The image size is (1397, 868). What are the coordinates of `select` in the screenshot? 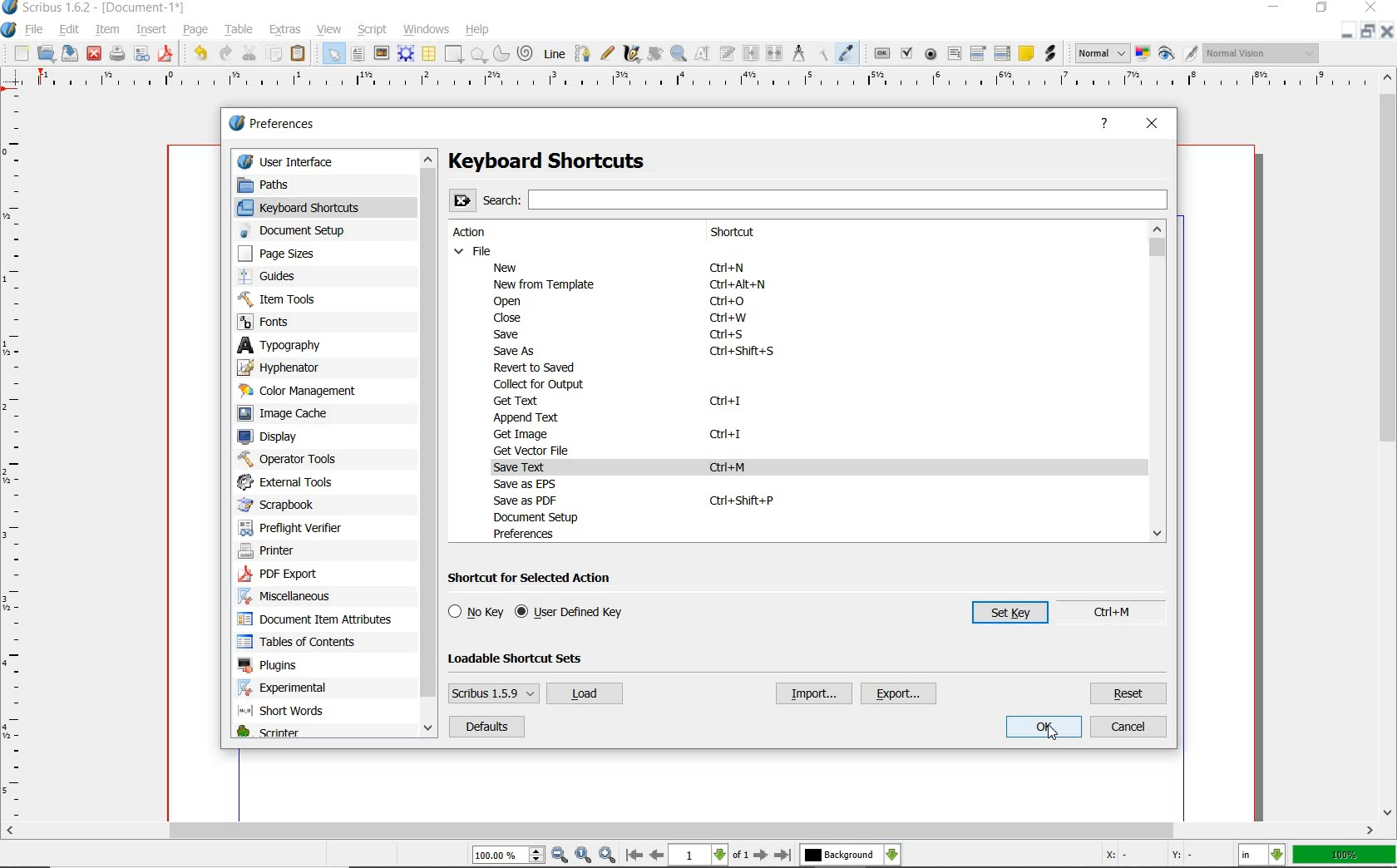 It's located at (335, 57).